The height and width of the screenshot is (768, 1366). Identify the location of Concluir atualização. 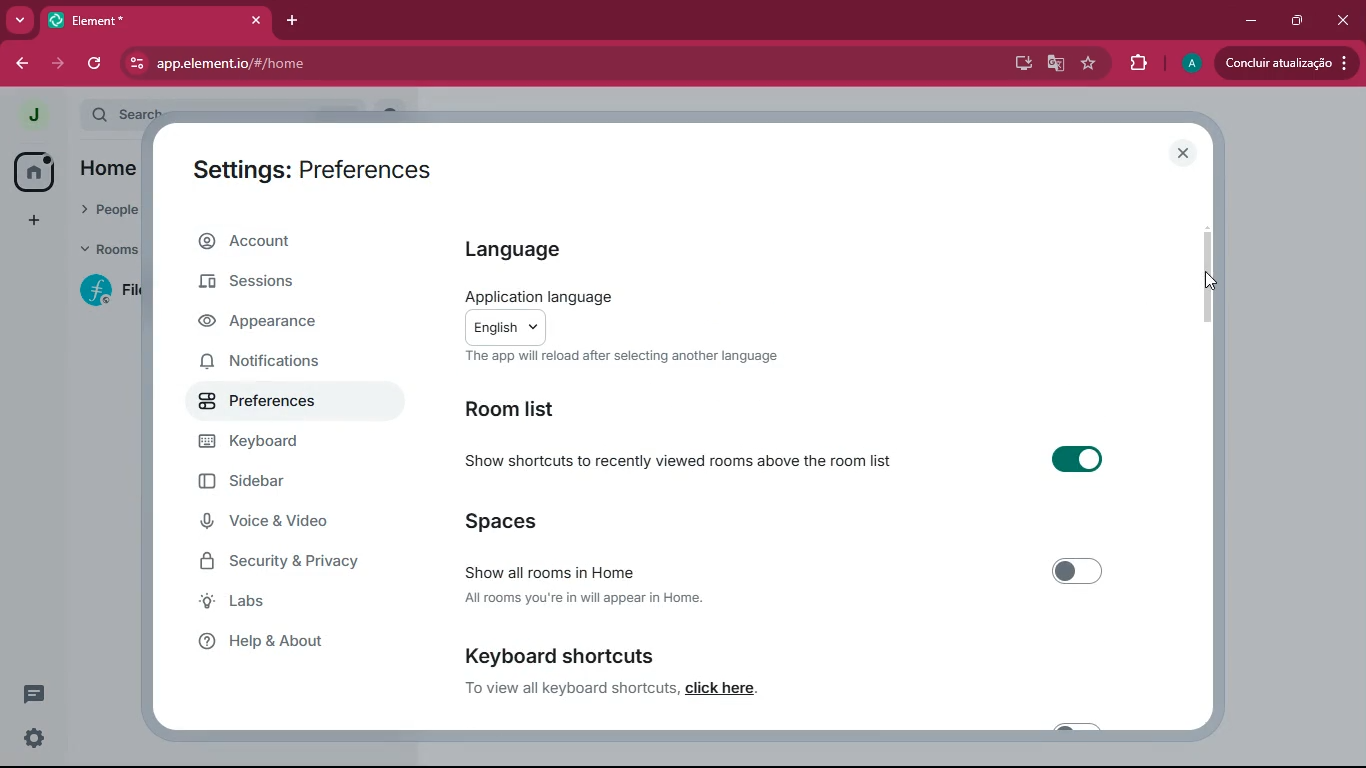
(1290, 63).